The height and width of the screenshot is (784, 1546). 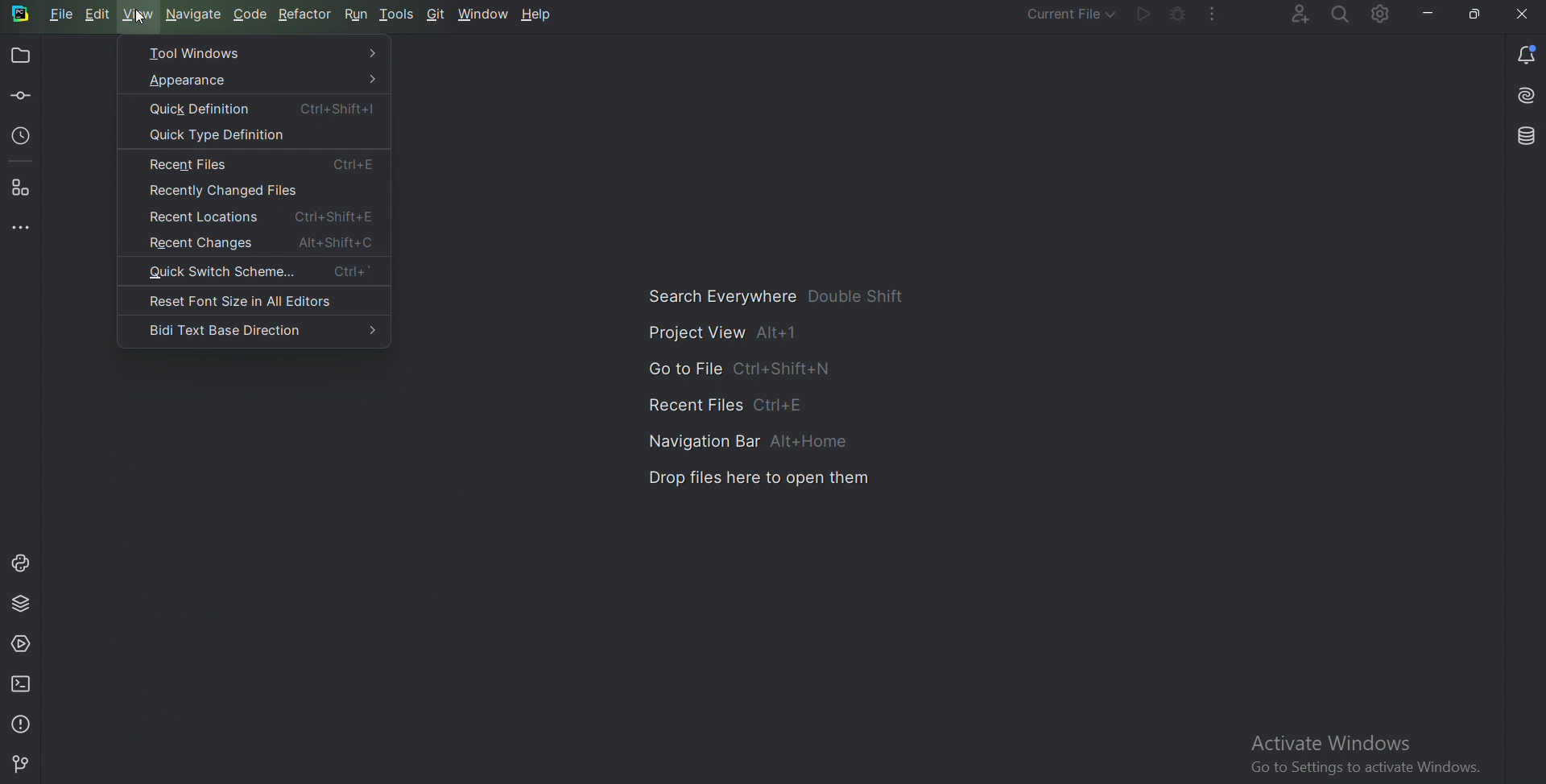 I want to click on view, so click(x=138, y=14).